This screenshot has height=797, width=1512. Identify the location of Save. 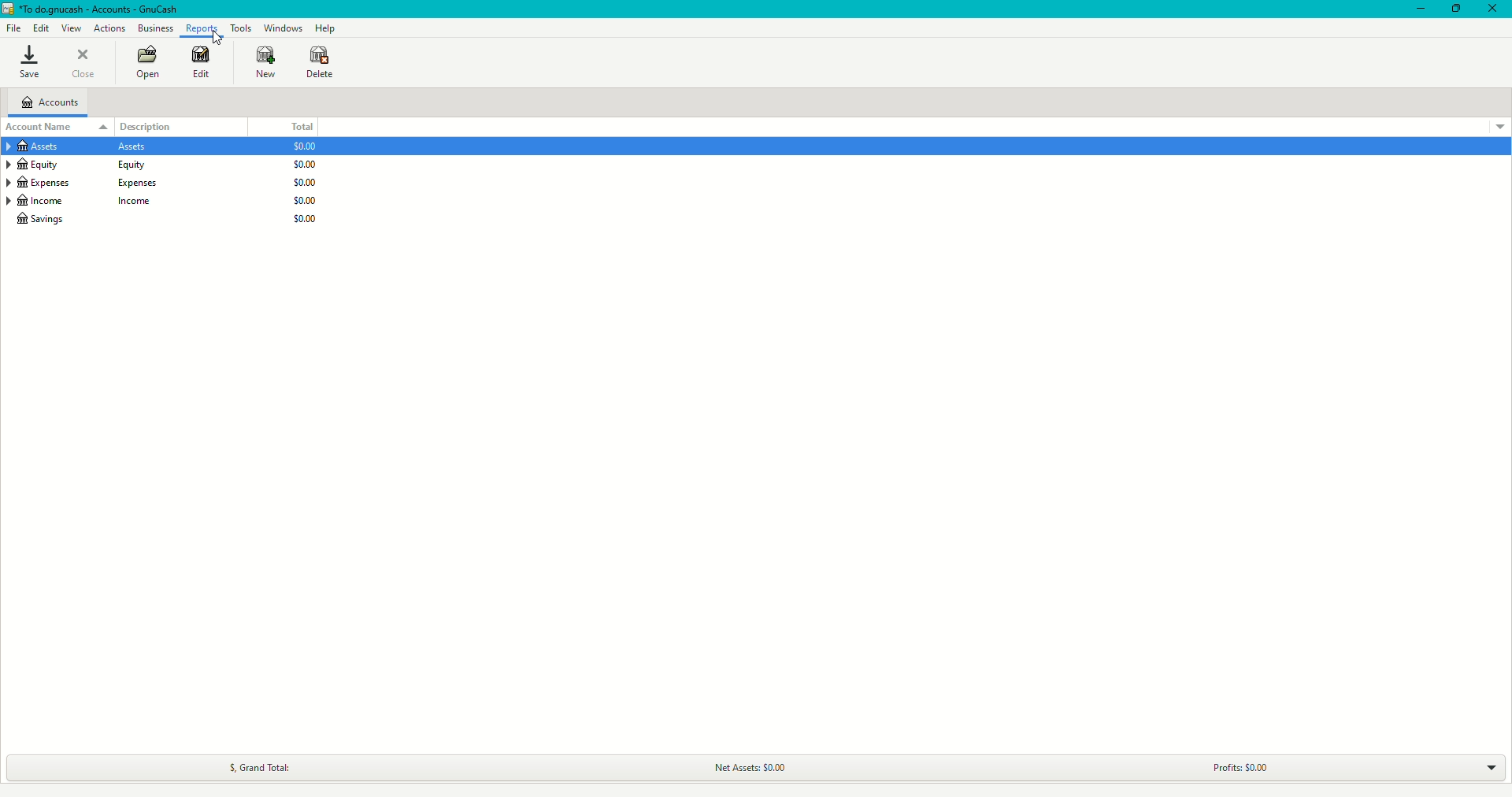
(31, 61).